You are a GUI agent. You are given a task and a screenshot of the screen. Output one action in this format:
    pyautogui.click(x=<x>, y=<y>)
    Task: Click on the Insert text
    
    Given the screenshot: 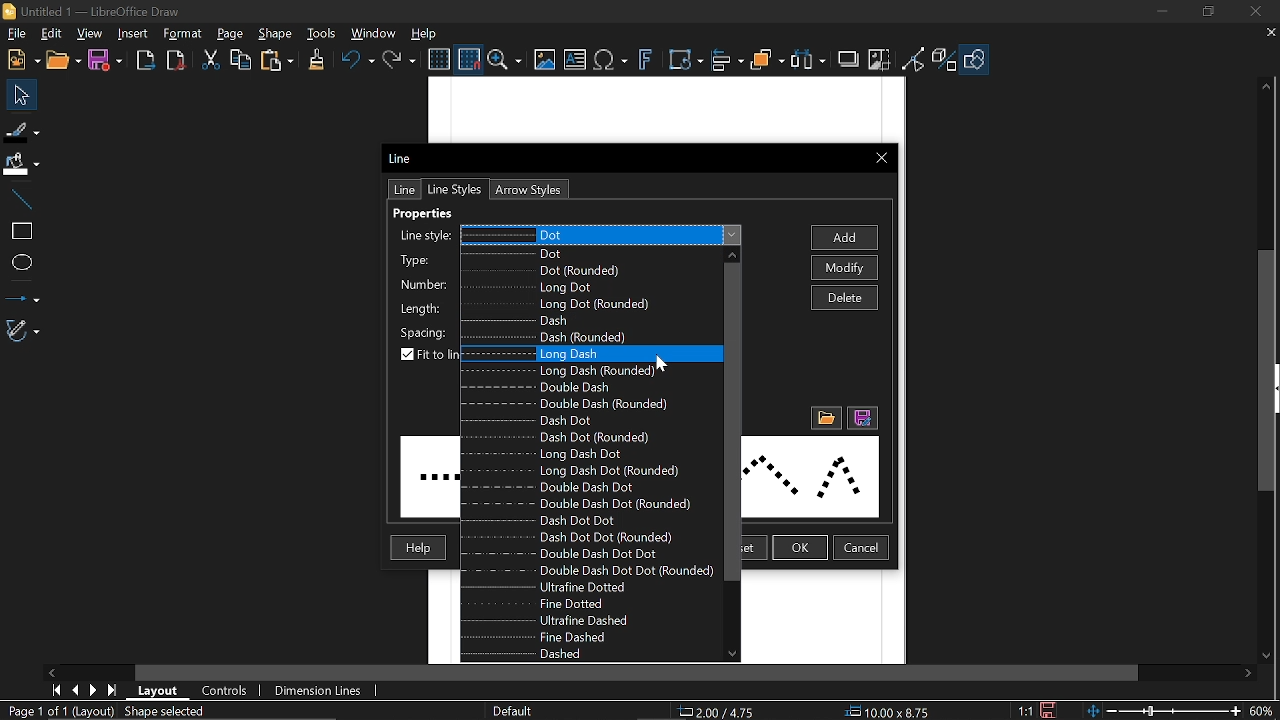 What is the action you would take?
    pyautogui.click(x=612, y=61)
    